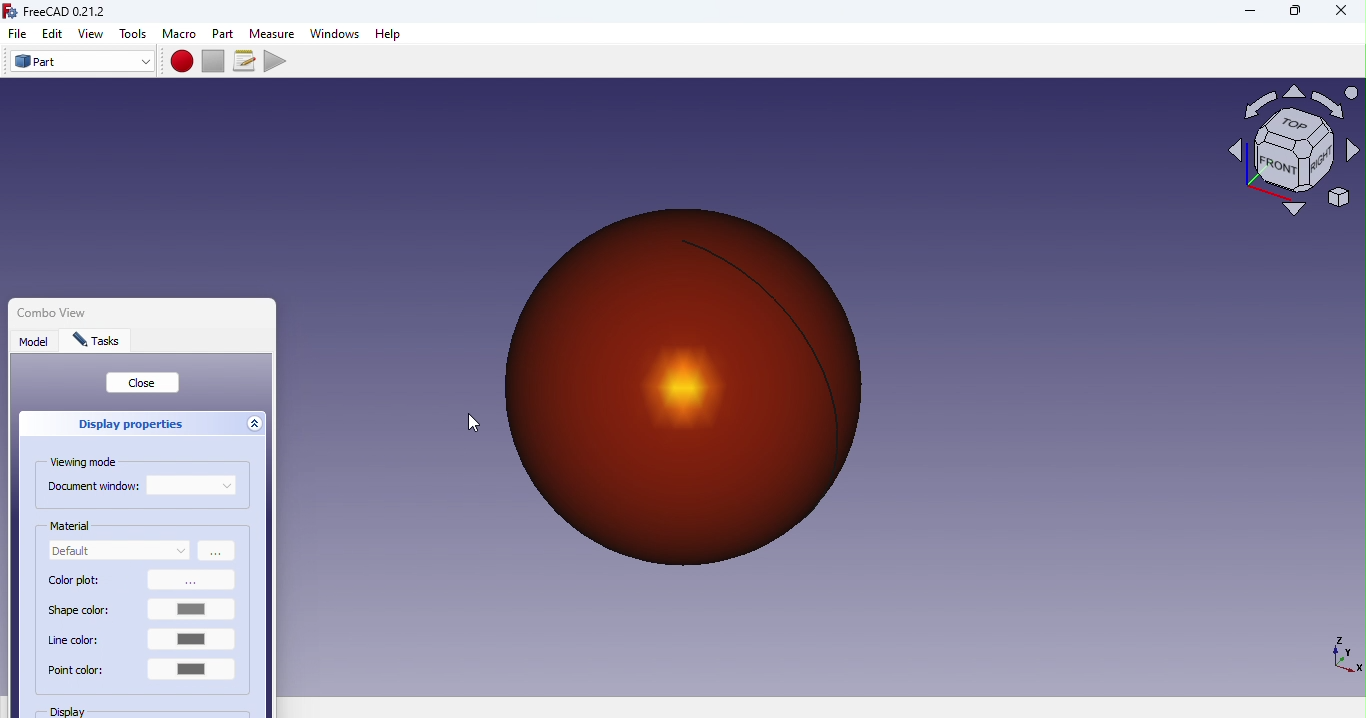 The width and height of the screenshot is (1366, 718). What do you see at coordinates (217, 60) in the screenshot?
I see `Stop Macro recording` at bounding box center [217, 60].